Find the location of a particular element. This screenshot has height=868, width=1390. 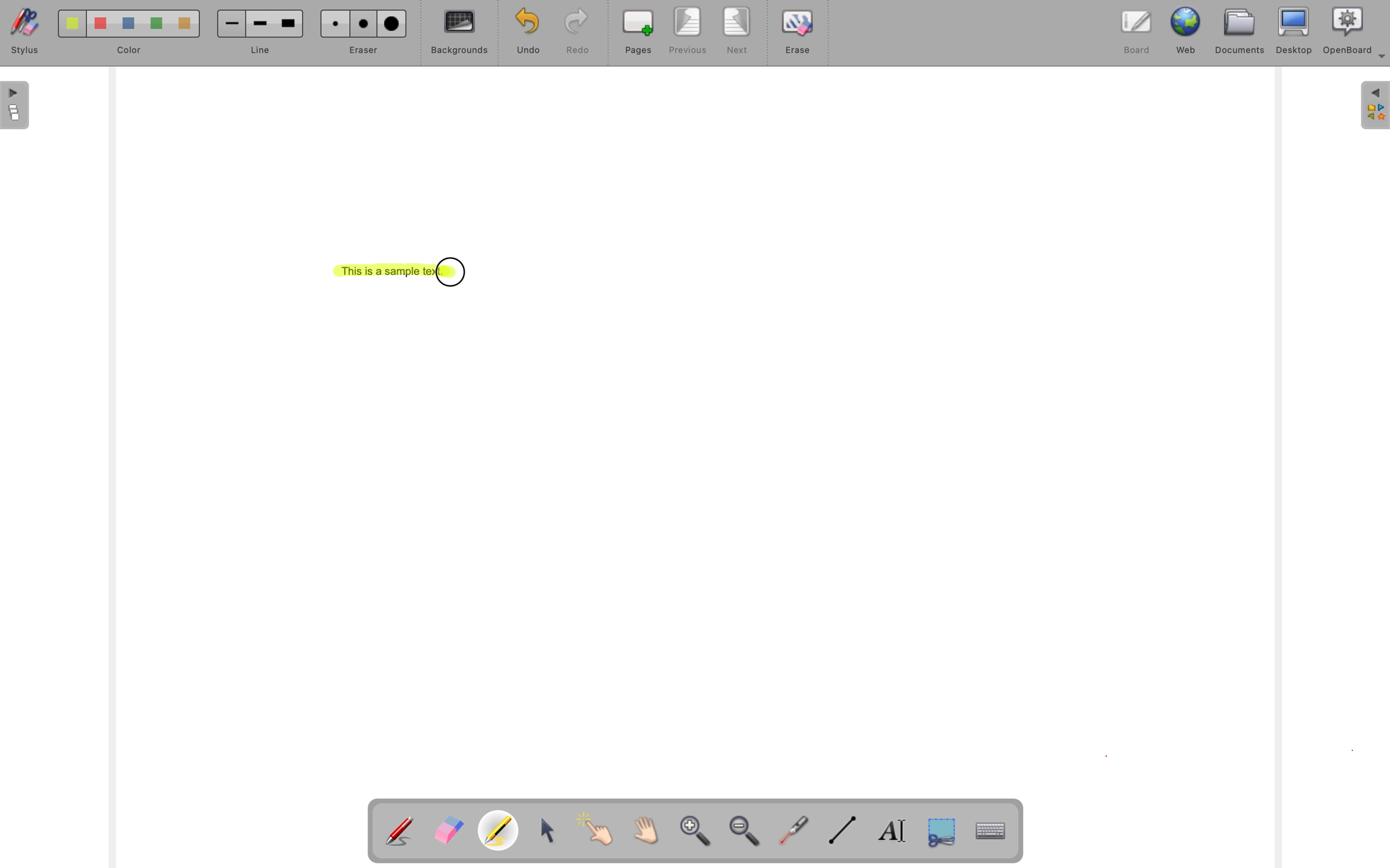

write text is located at coordinates (893, 830).